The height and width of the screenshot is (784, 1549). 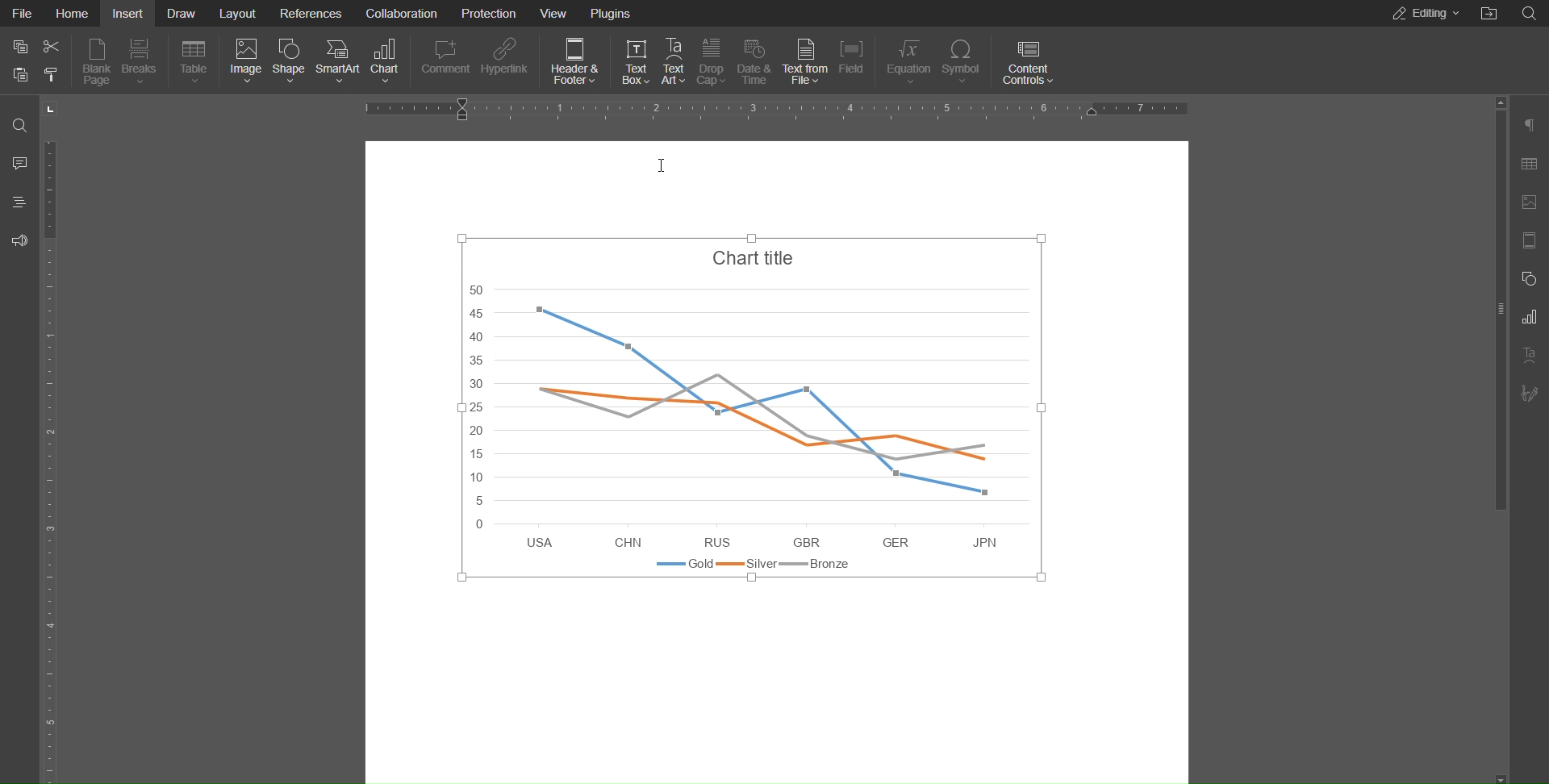 What do you see at coordinates (633, 346) in the screenshot?
I see `Highlighted Point` at bounding box center [633, 346].